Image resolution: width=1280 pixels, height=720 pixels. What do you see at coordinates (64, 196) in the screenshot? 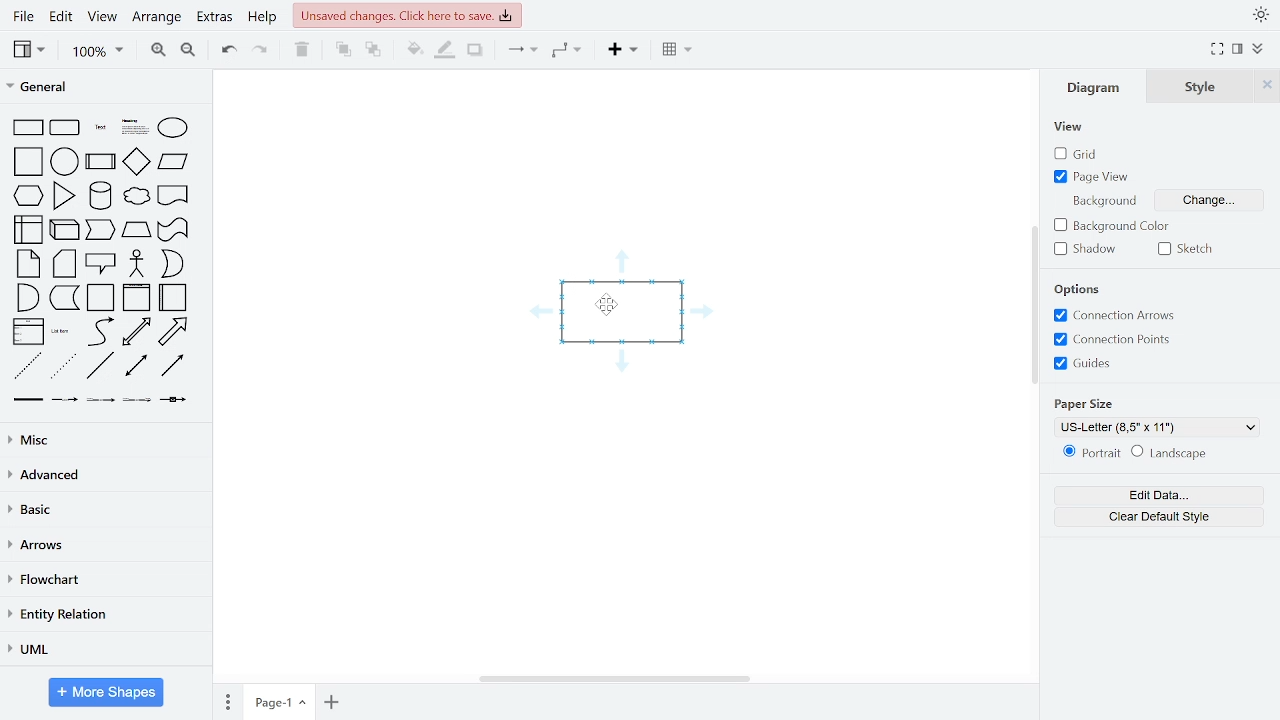
I see `triangle` at bounding box center [64, 196].